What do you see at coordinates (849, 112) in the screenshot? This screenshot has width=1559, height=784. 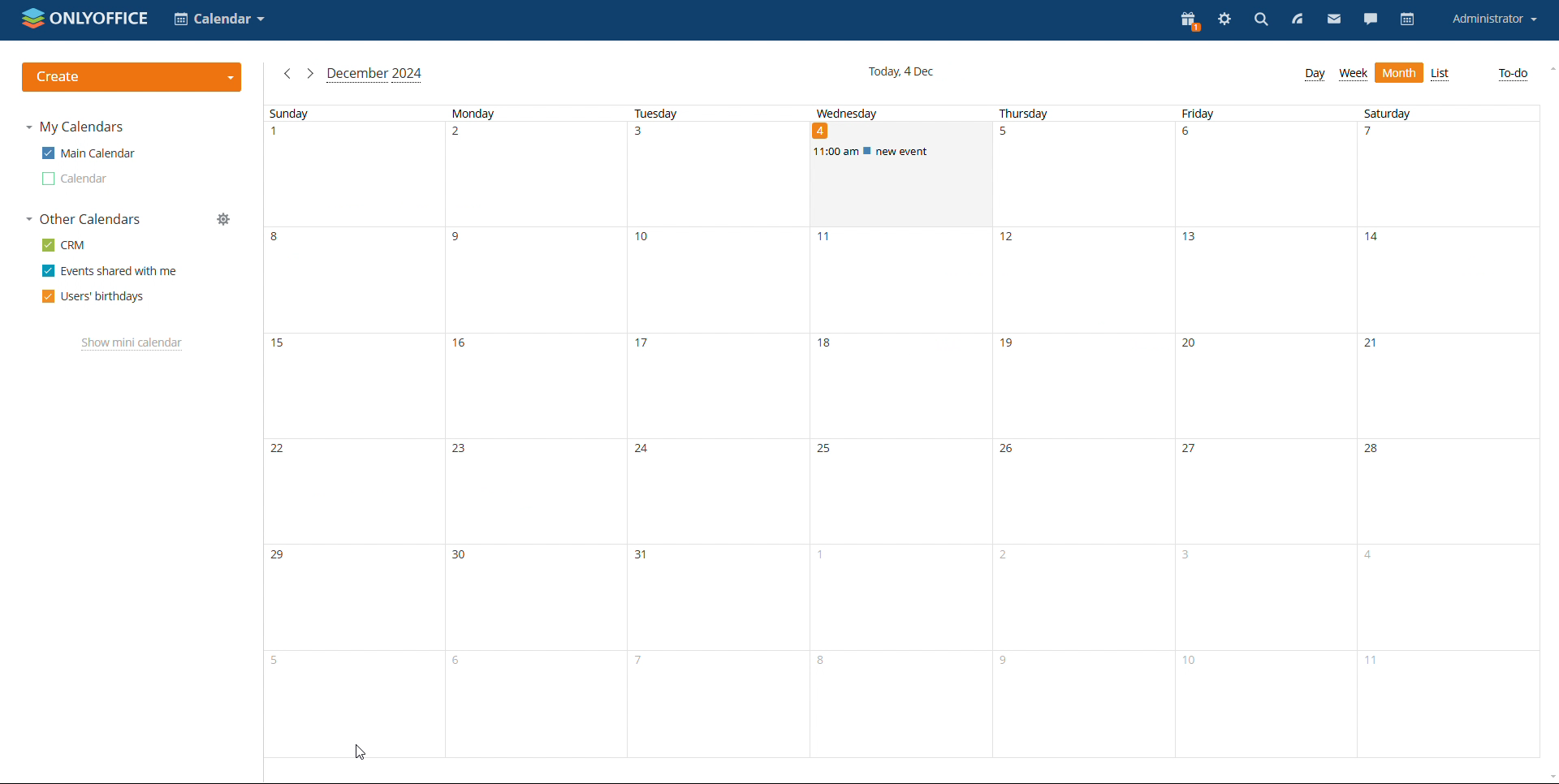 I see `wednesday` at bounding box center [849, 112].